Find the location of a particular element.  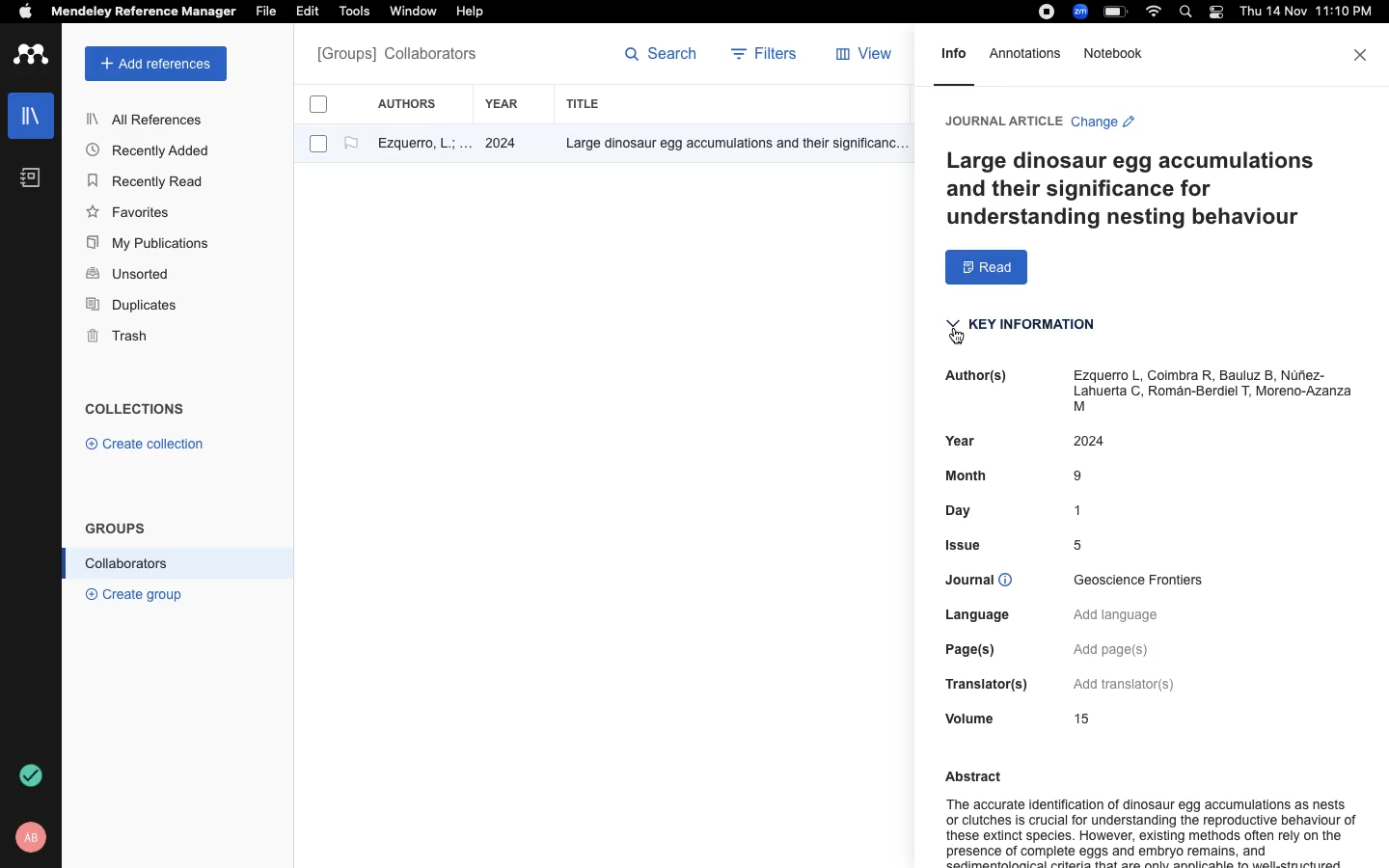

15 is located at coordinates (1081, 718).